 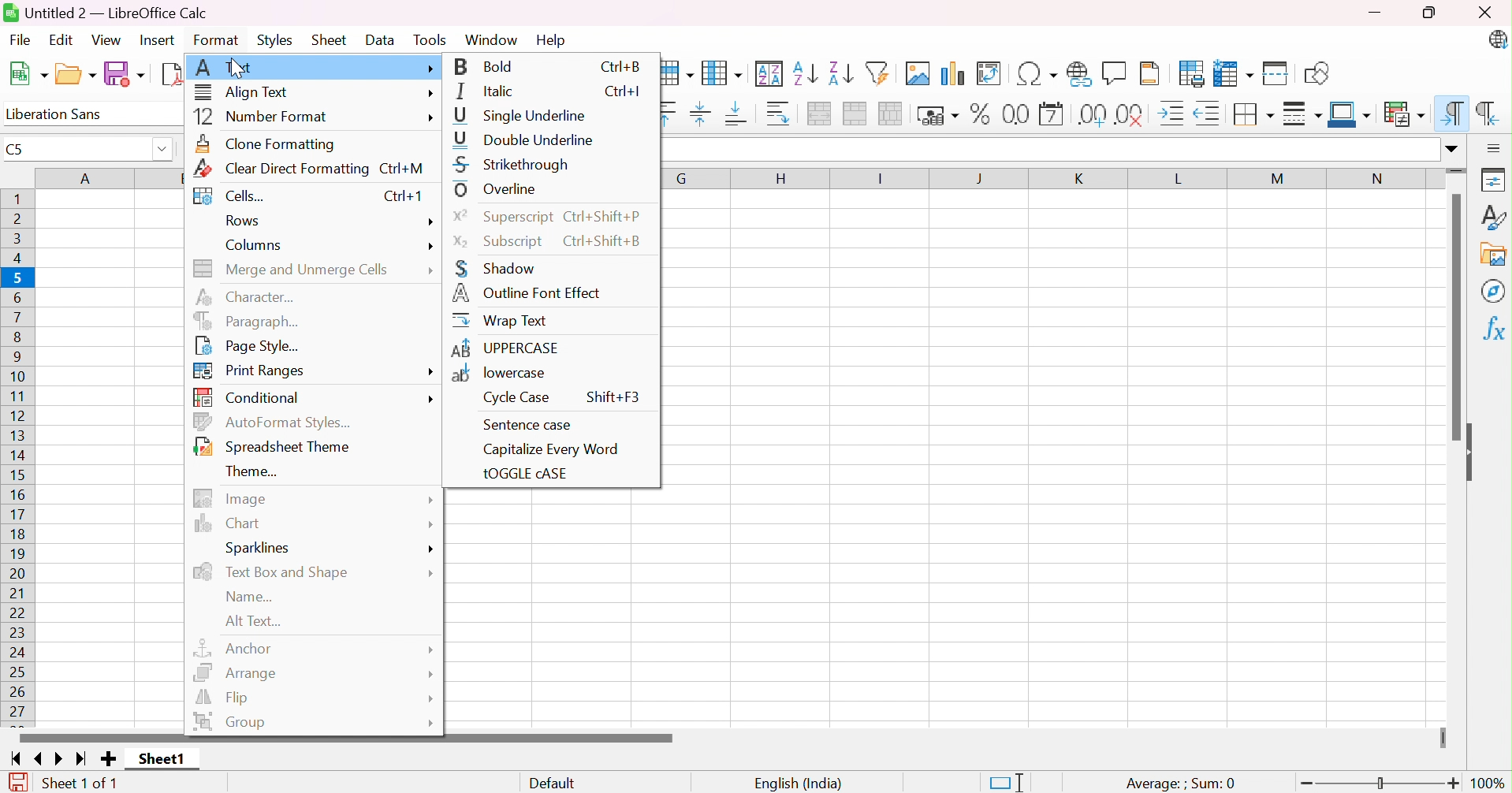 What do you see at coordinates (382, 41) in the screenshot?
I see `Data` at bounding box center [382, 41].